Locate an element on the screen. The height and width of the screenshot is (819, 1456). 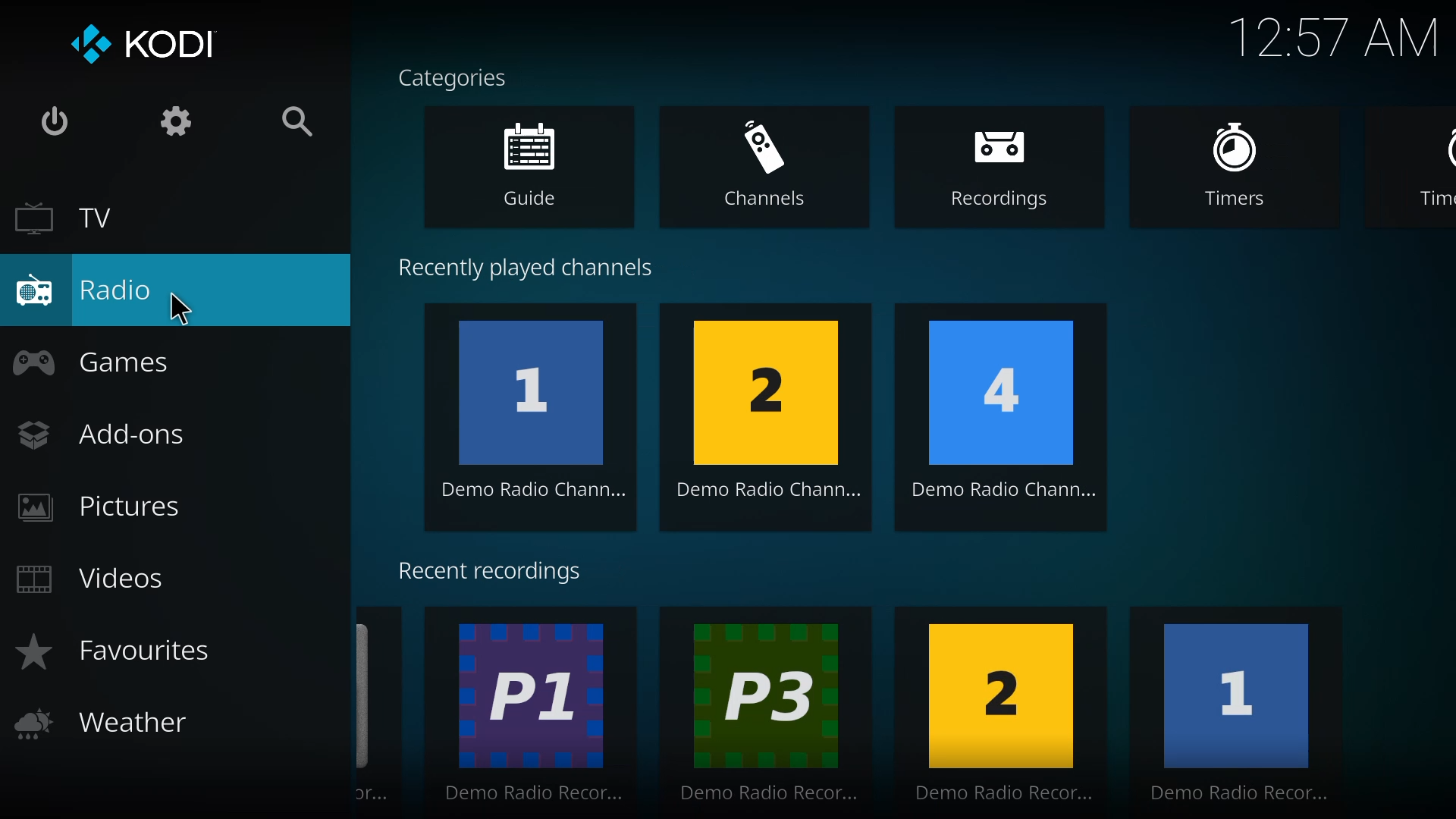
power is located at coordinates (52, 118).